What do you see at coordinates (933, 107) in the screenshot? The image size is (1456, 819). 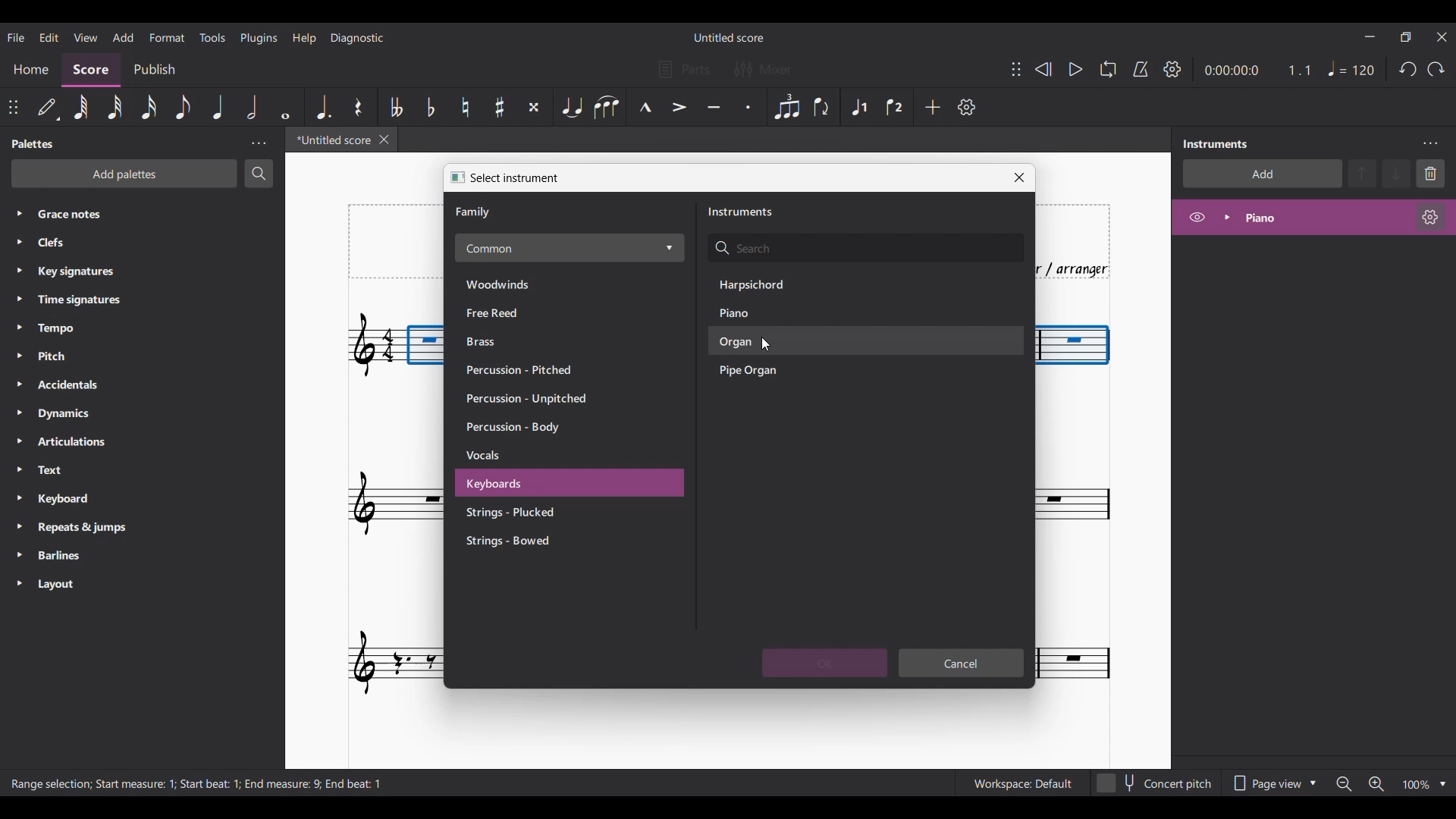 I see `Add` at bounding box center [933, 107].